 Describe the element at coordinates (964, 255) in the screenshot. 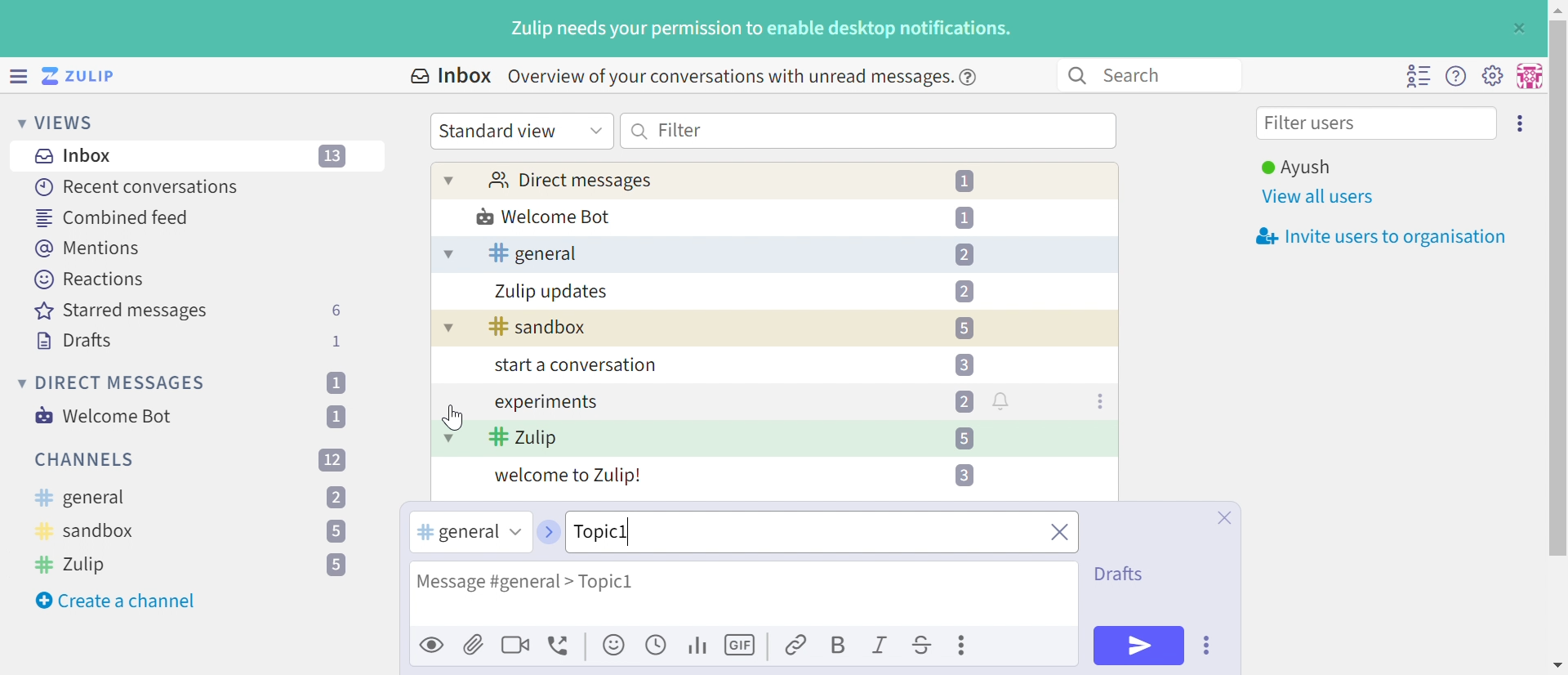

I see `2` at that location.